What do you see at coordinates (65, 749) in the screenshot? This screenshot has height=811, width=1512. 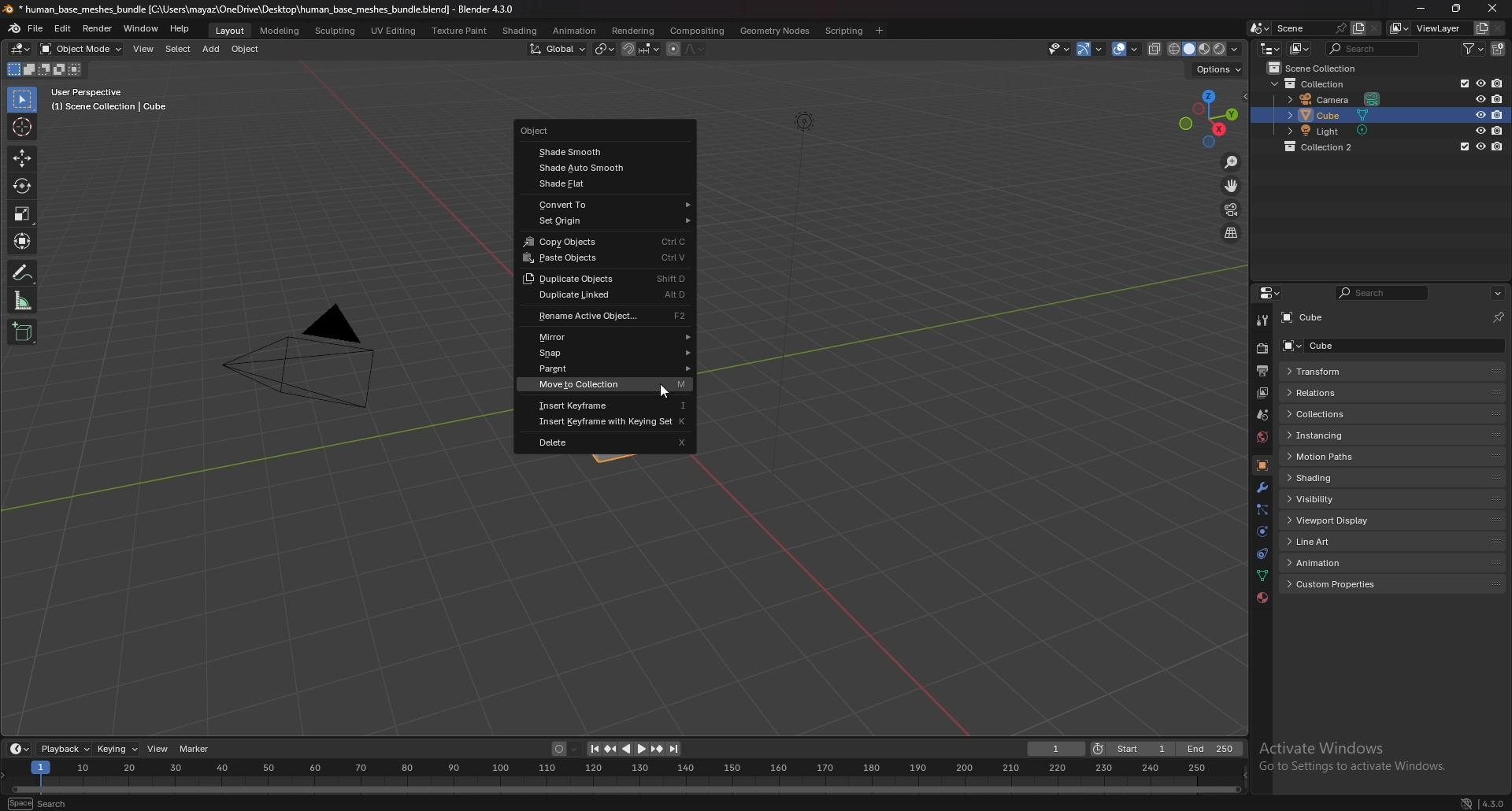 I see `playback` at bounding box center [65, 749].